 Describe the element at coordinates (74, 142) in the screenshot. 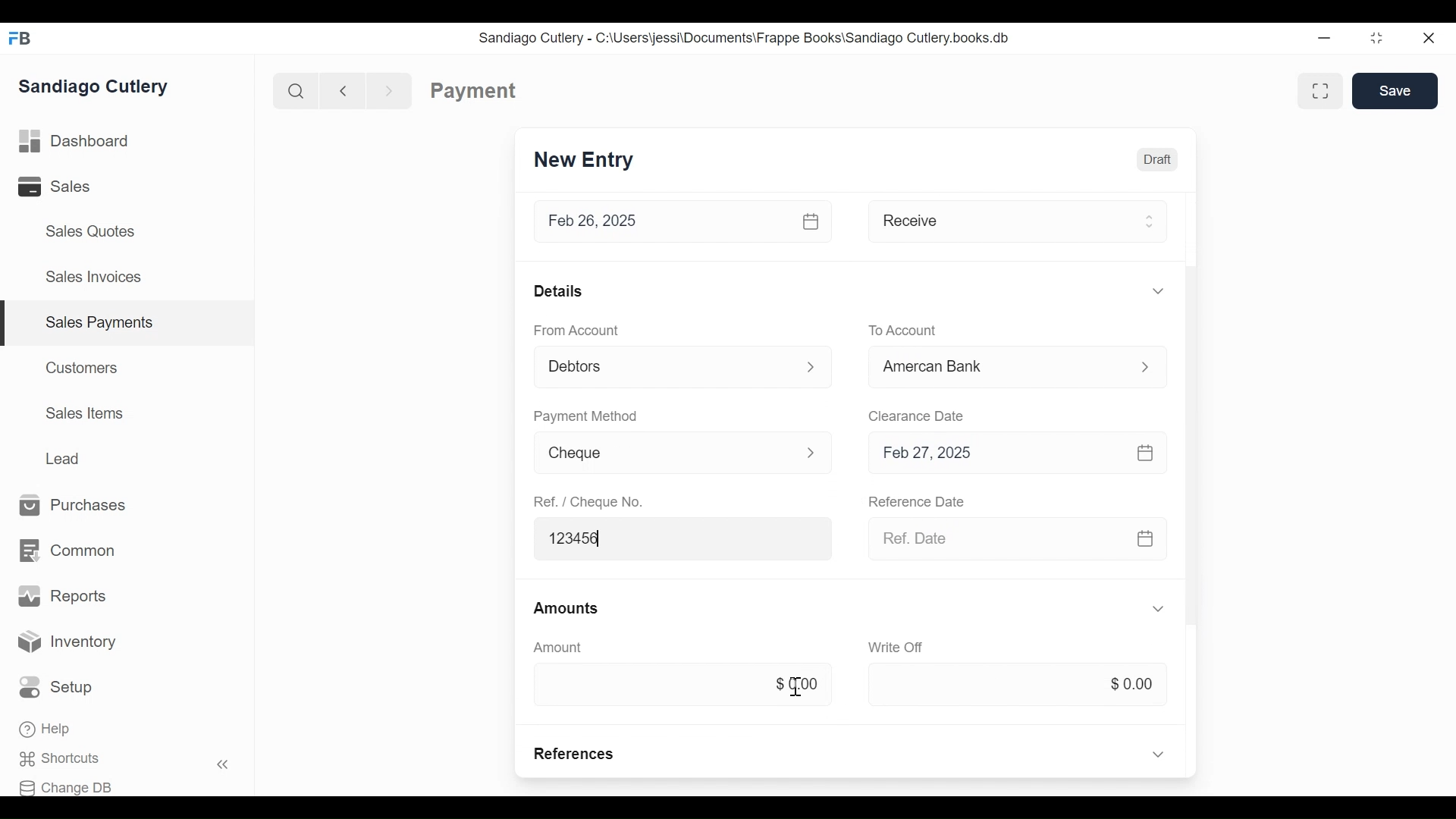

I see `Dashboard` at that location.